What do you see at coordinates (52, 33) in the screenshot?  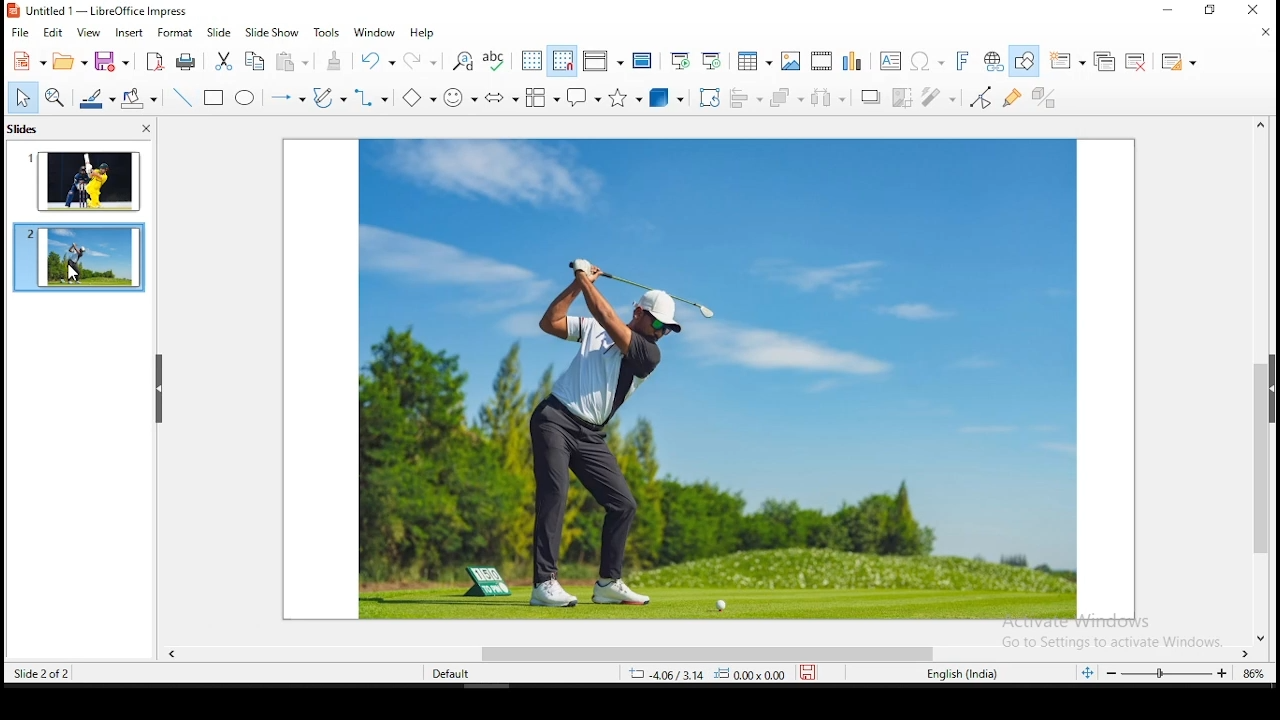 I see `edit` at bounding box center [52, 33].